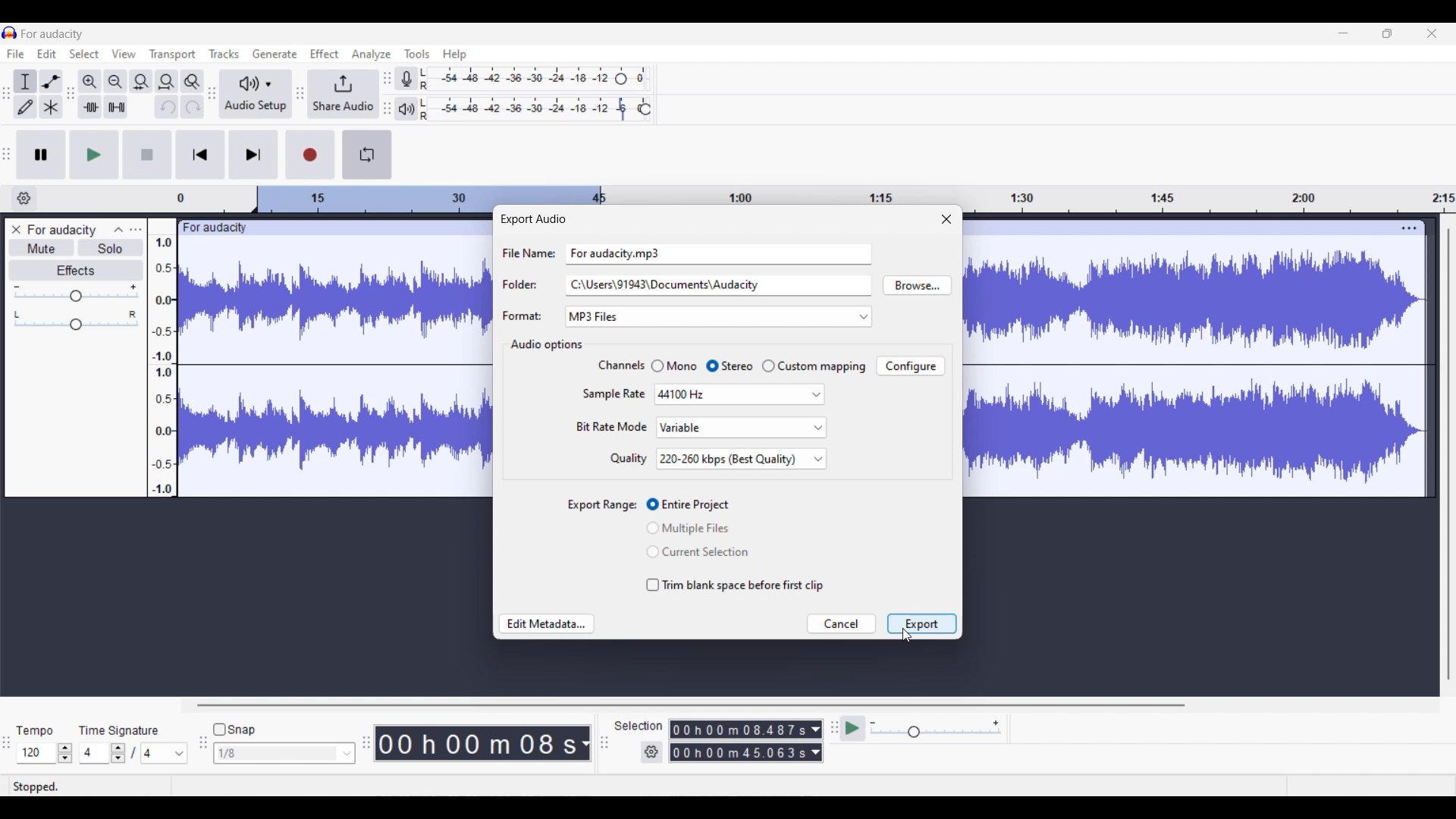 This screenshot has height=819, width=1456. What do you see at coordinates (25, 107) in the screenshot?
I see `Draw tool` at bounding box center [25, 107].